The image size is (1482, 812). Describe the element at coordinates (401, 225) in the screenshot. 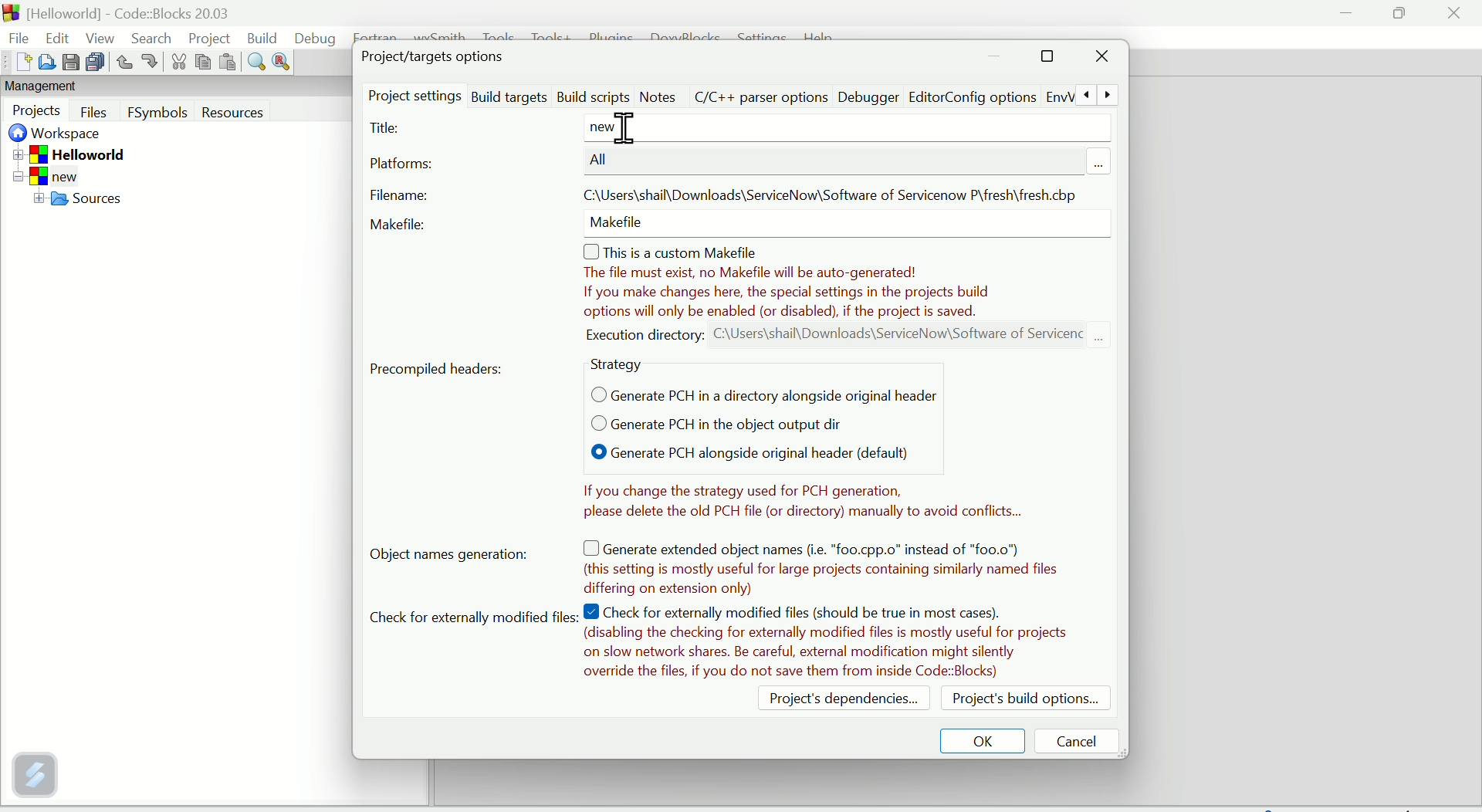

I see `Make file` at that location.